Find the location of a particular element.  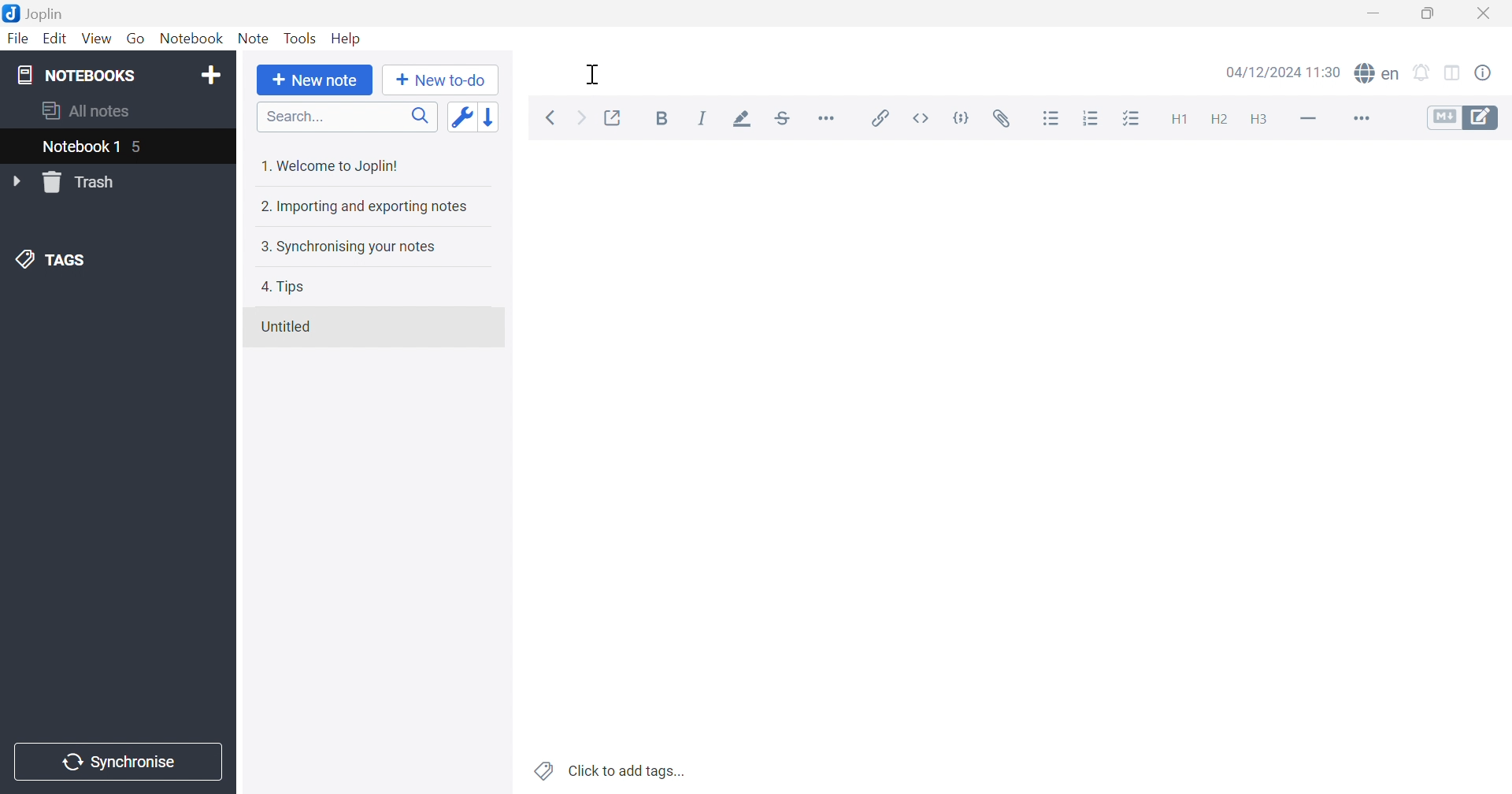

Help is located at coordinates (347, 36).